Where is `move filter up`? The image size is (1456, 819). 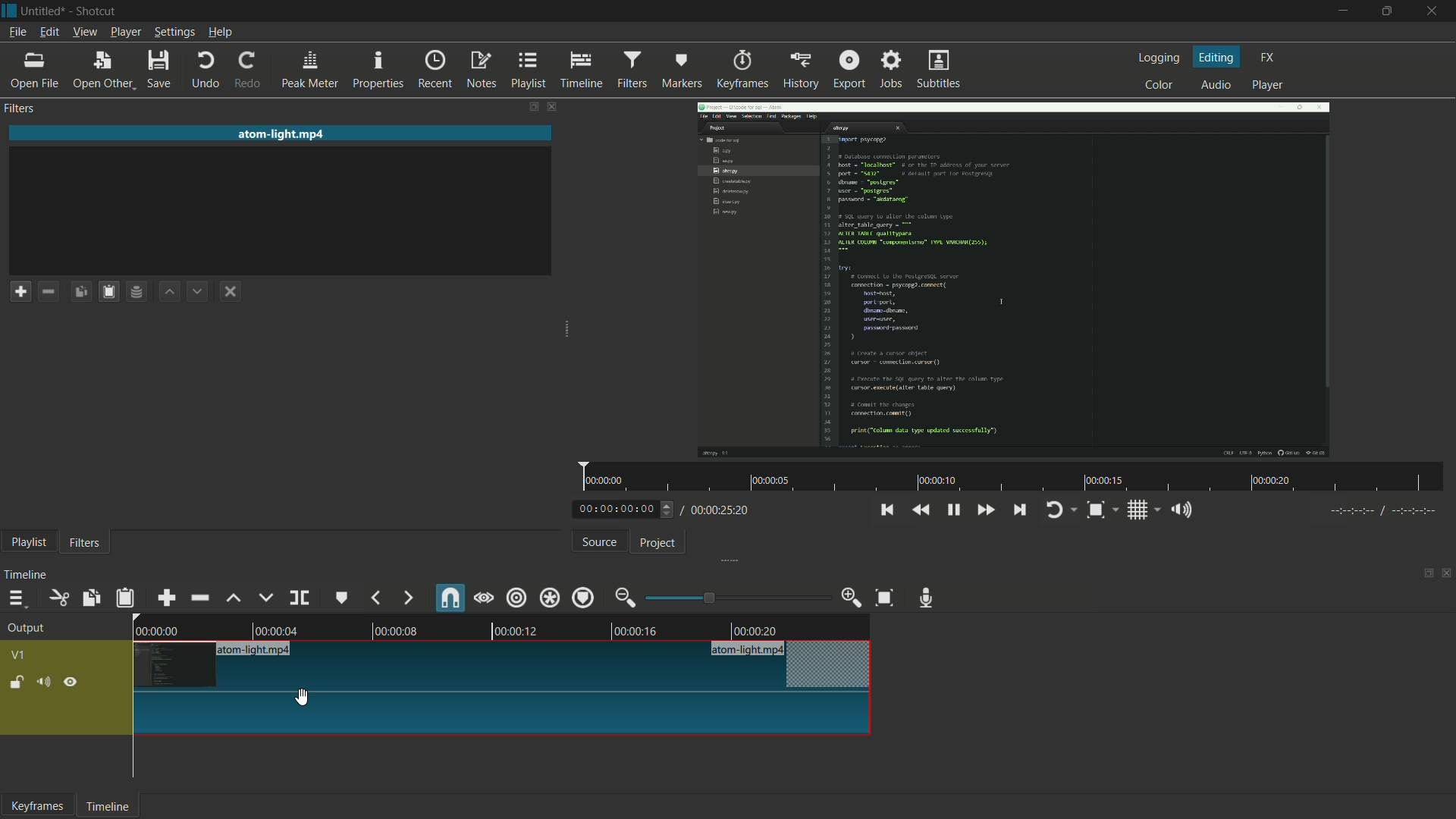
move filter up is located at coordinates (171, 291).